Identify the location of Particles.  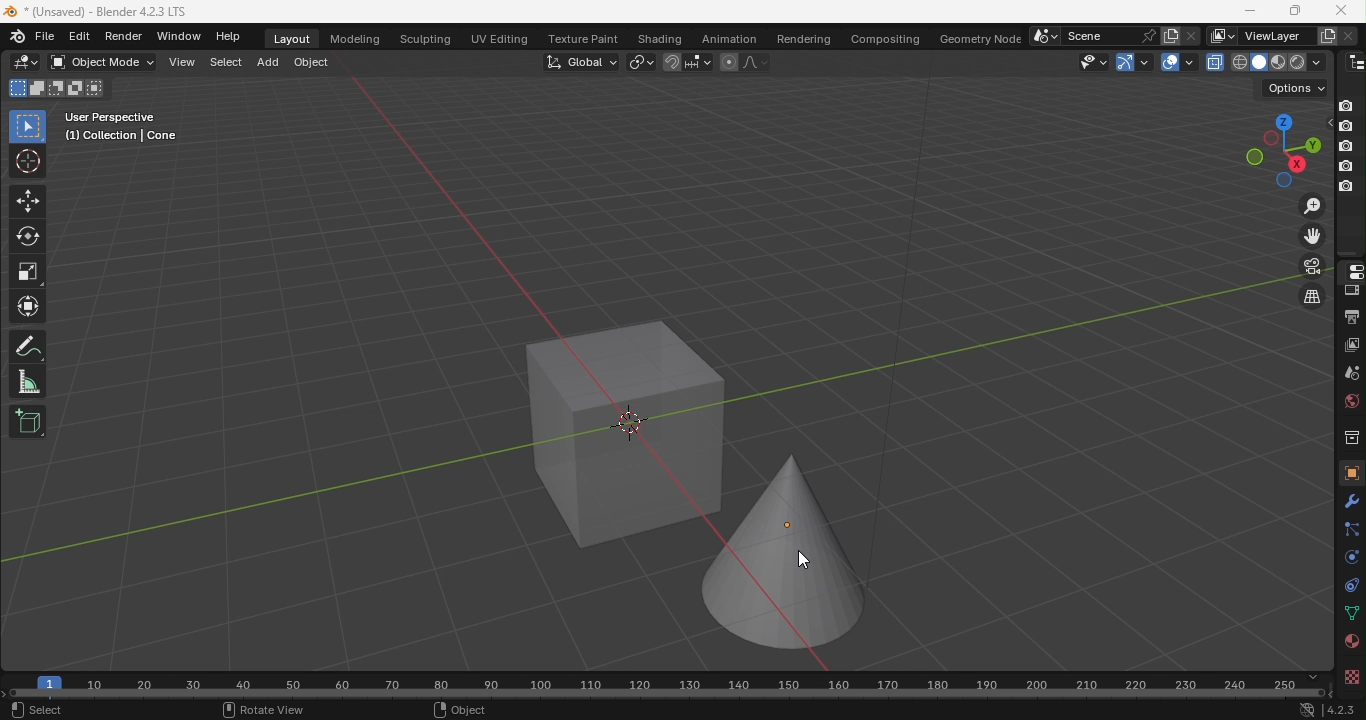
(1350, 528).